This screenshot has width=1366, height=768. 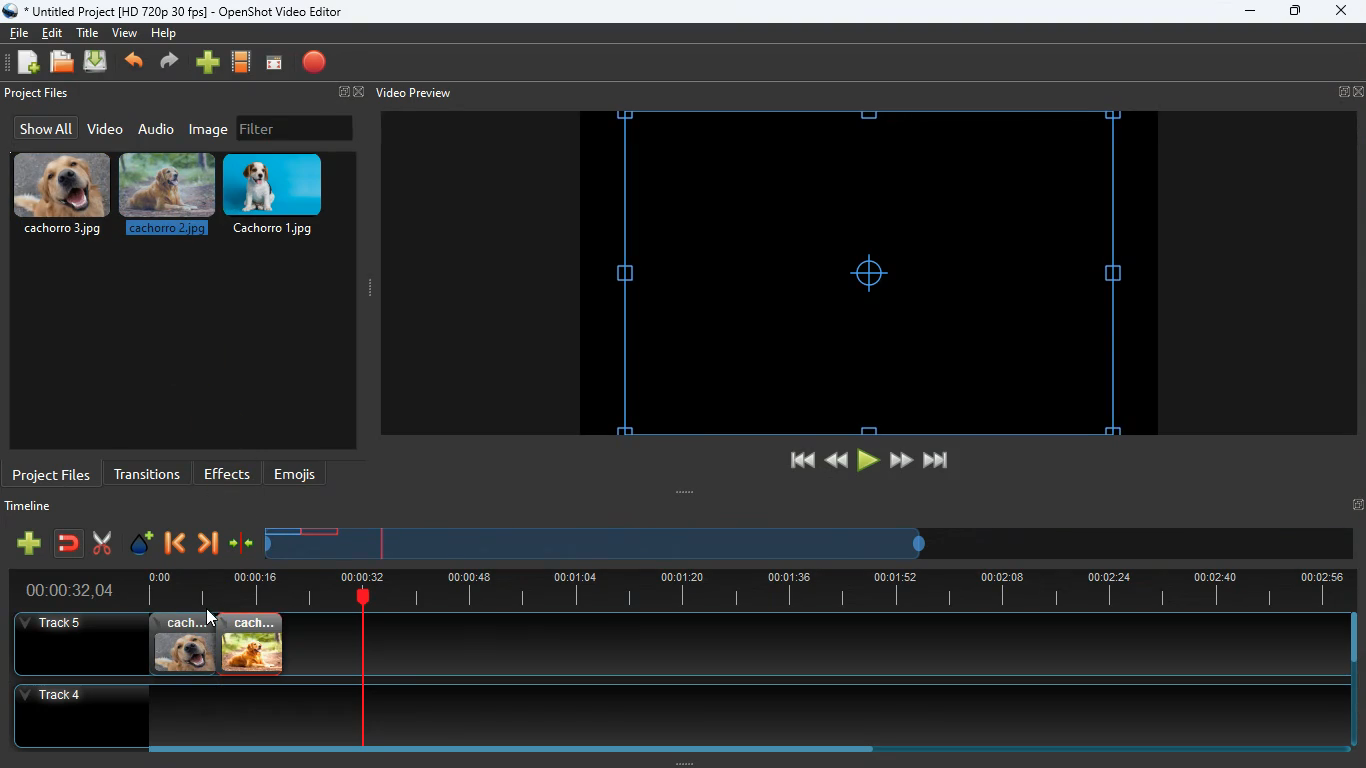 I want to click on beggining, so click(x=793, y=461).